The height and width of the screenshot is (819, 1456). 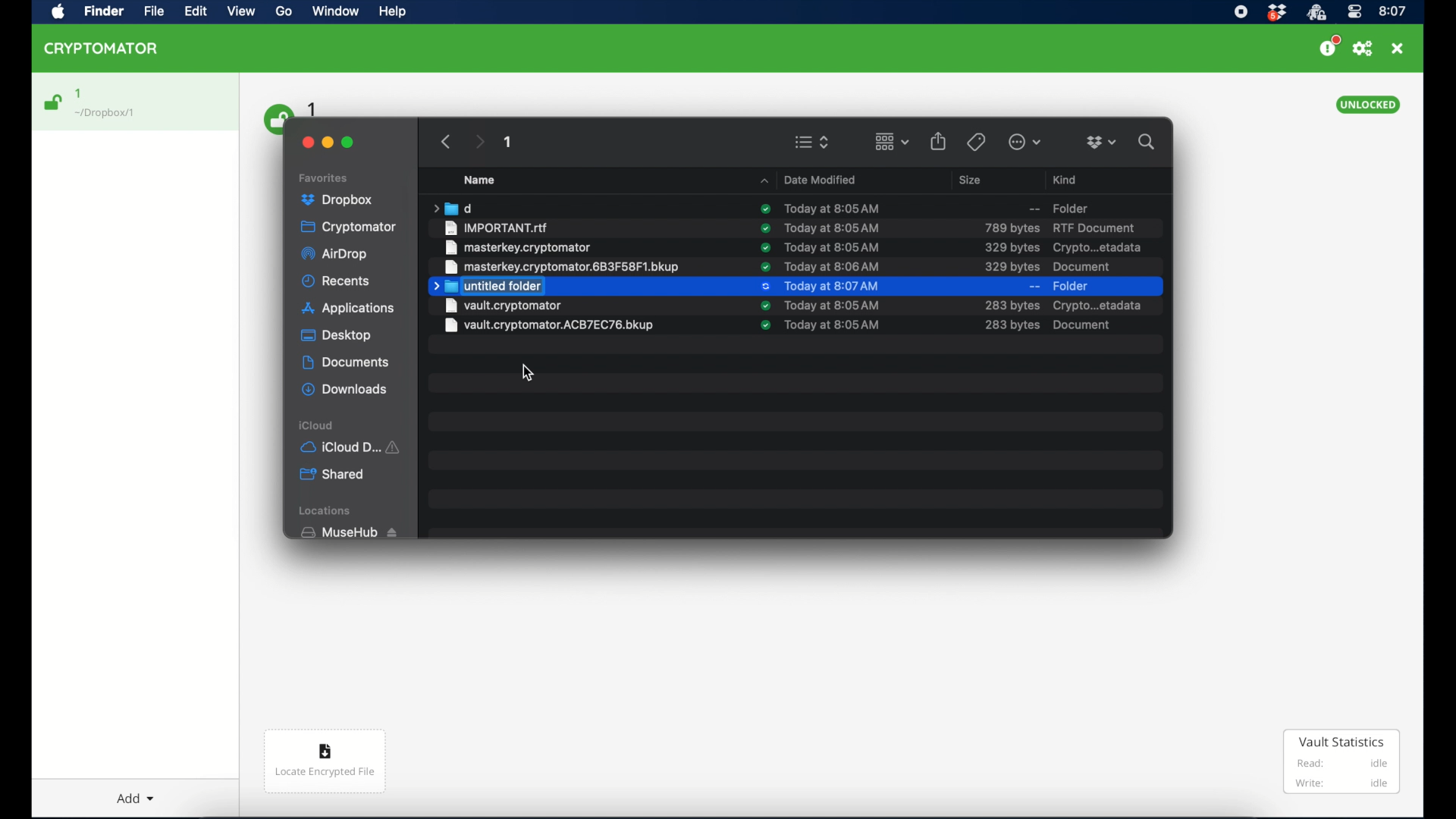 What do you see at coordinates (108, 51) in the screenshot?
I see `CRYPTOMATOR` at bounding box center [108, 51].